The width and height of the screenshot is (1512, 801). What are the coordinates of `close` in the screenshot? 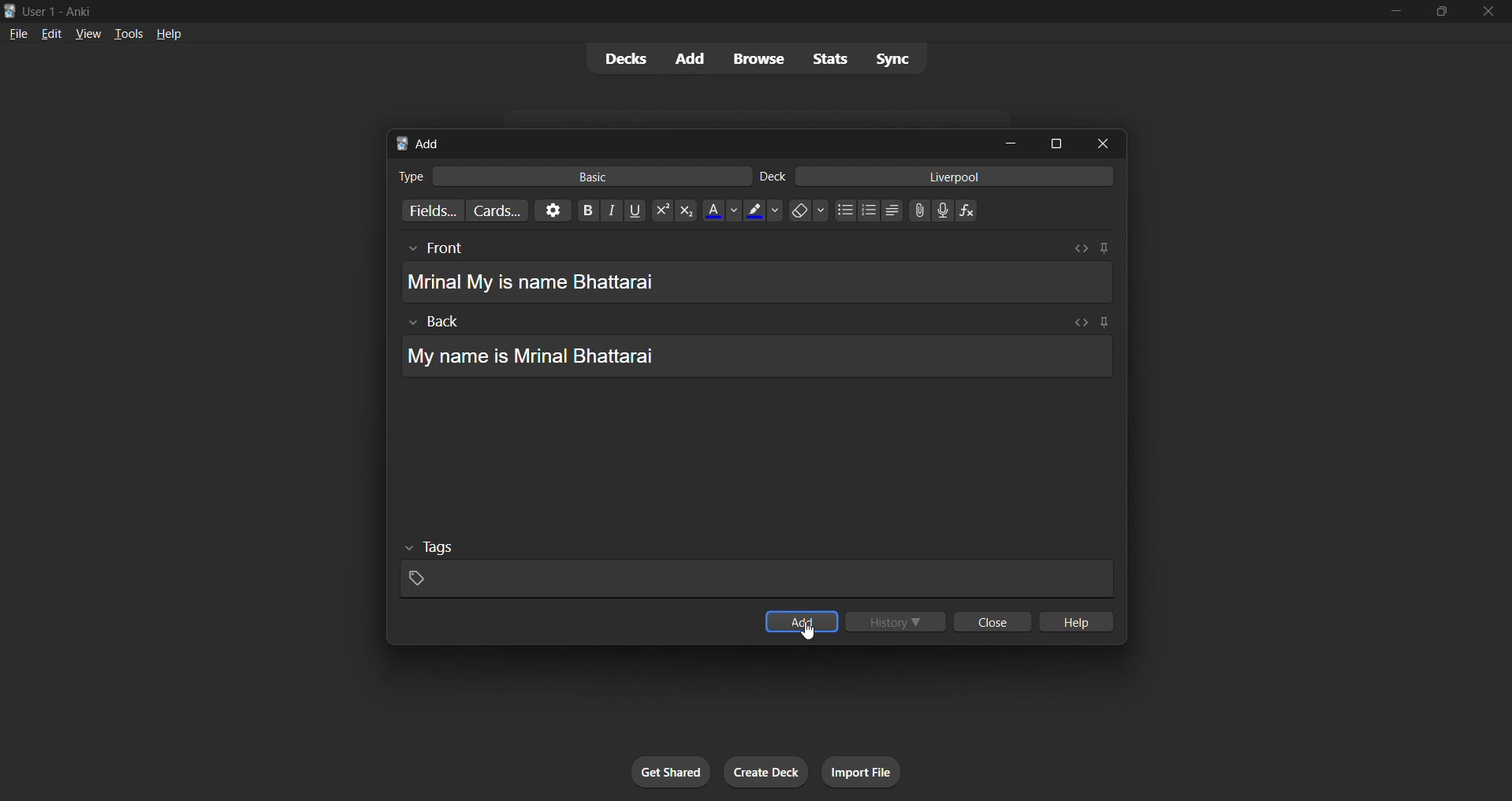 It's located at (992, 620).